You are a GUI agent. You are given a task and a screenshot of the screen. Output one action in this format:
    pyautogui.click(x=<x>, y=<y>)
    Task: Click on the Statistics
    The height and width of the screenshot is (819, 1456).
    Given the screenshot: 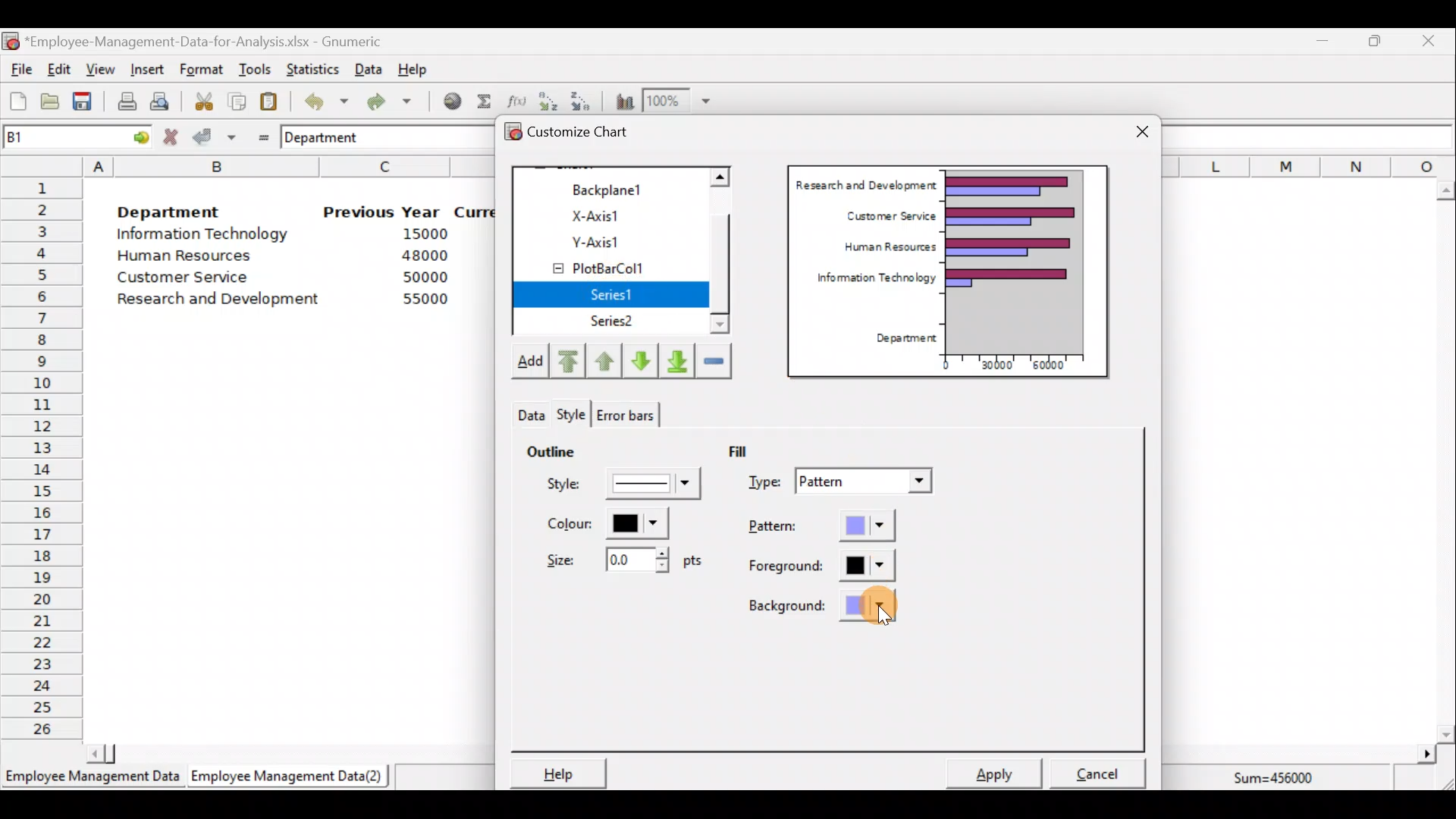 What is the action you would take?
    pyautogui.click(x=309, y=67)
    